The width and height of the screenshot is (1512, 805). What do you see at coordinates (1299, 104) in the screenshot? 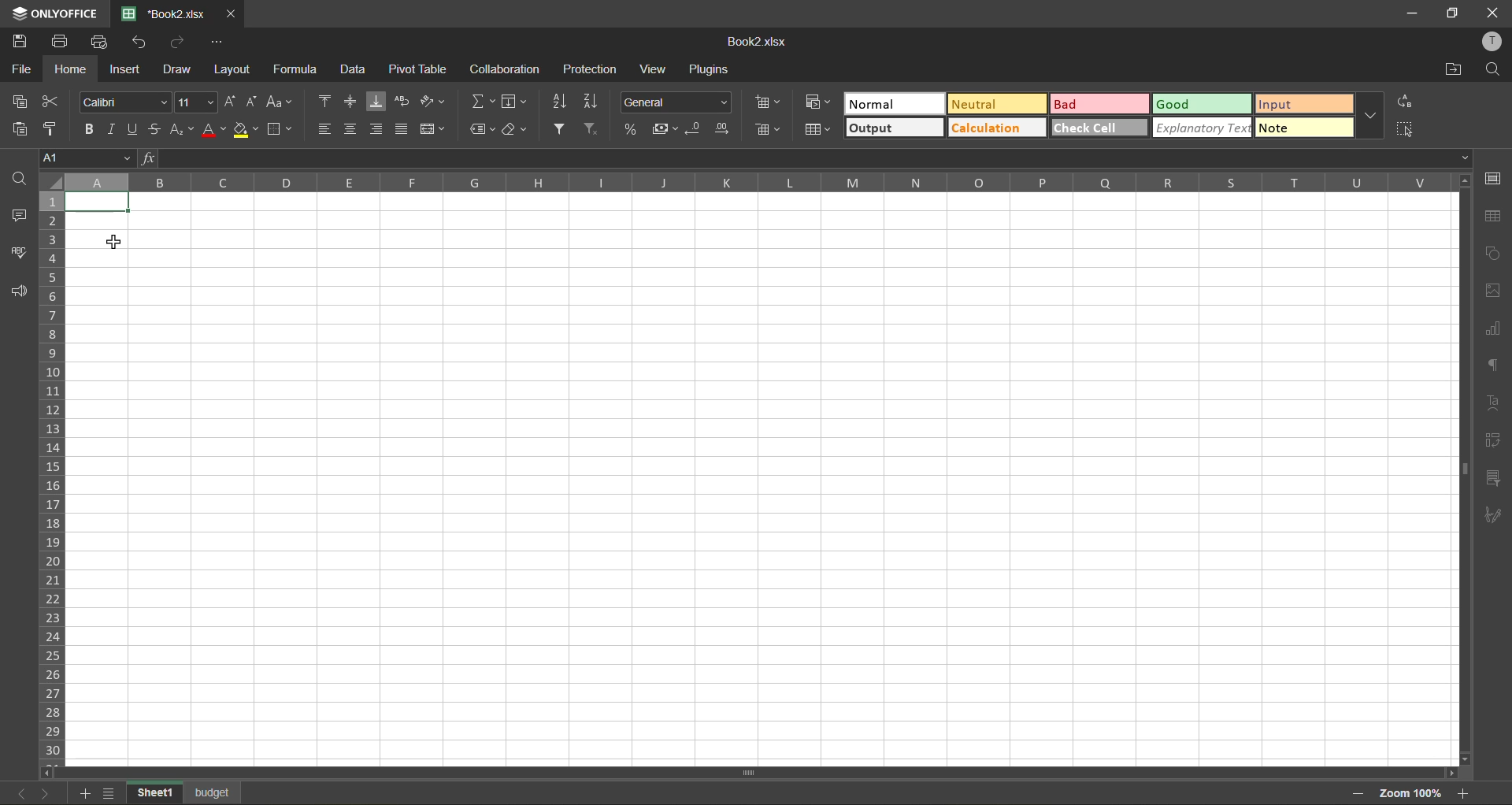
I see `input` at bounding box center [1299, 104].